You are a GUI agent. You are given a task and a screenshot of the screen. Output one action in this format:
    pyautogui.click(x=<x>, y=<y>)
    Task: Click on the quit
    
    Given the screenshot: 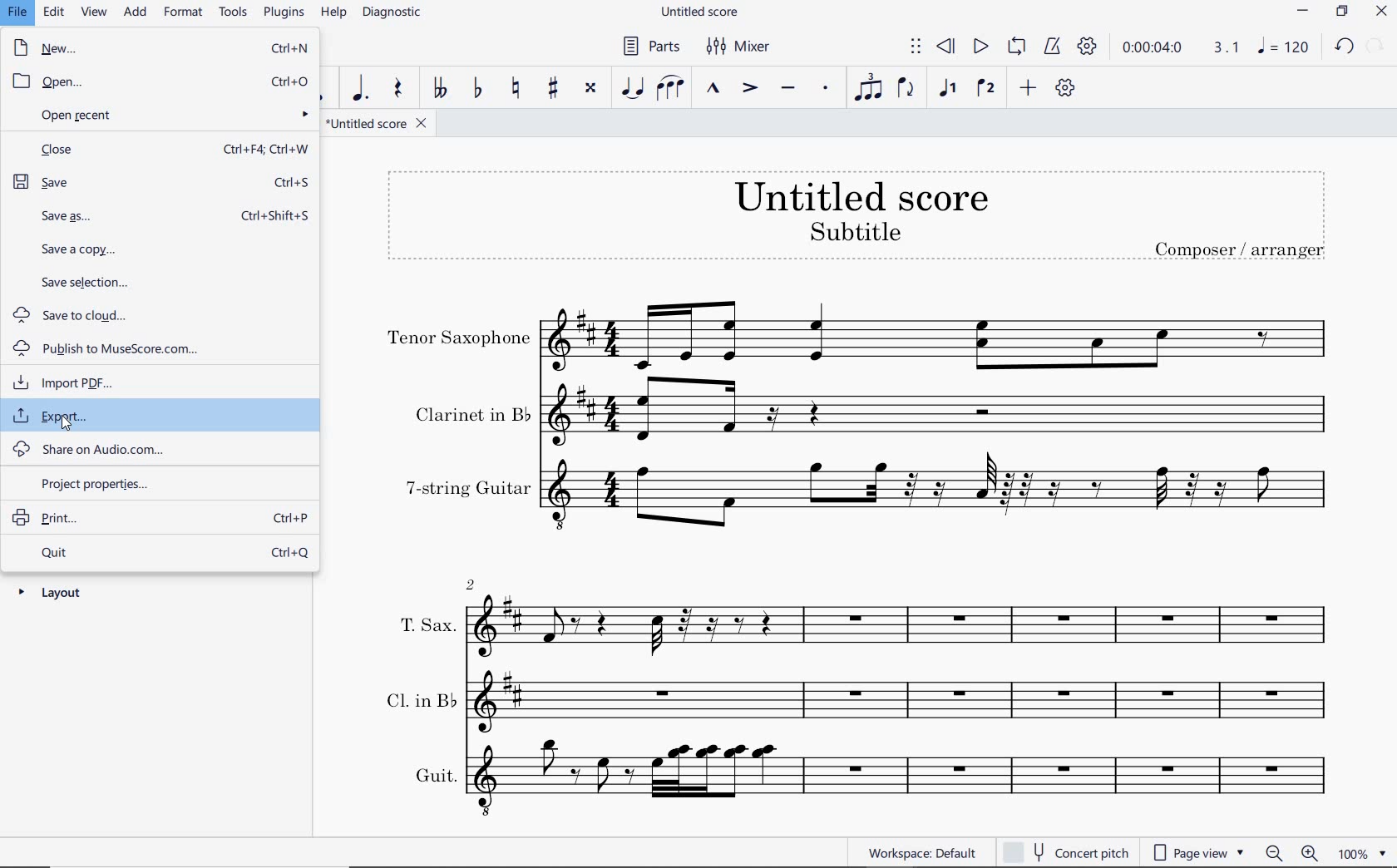 What is the action you would take?
    pyautogui.click(x=159, y=555)
    